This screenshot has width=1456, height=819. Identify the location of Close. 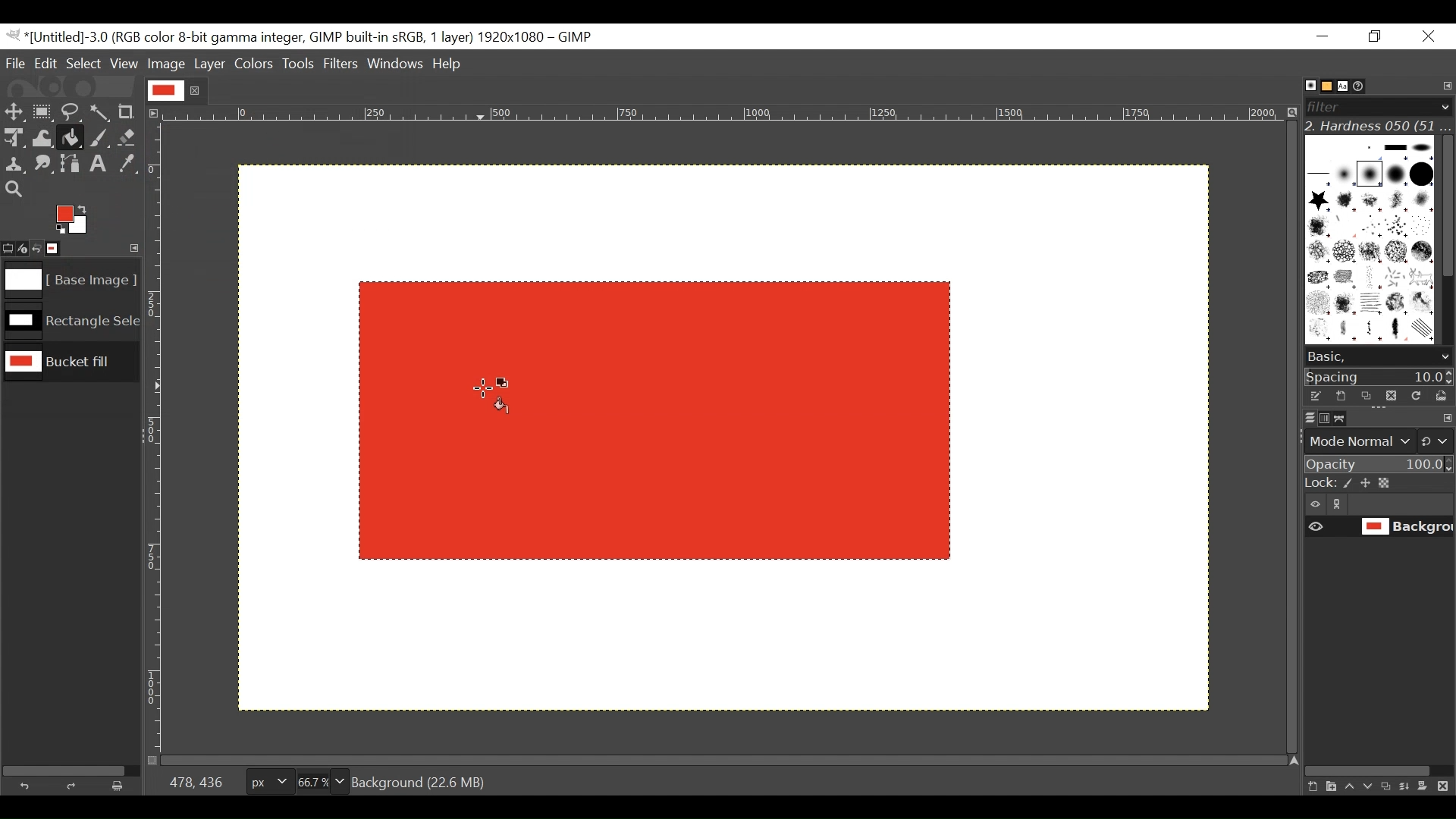
(1427, 37).